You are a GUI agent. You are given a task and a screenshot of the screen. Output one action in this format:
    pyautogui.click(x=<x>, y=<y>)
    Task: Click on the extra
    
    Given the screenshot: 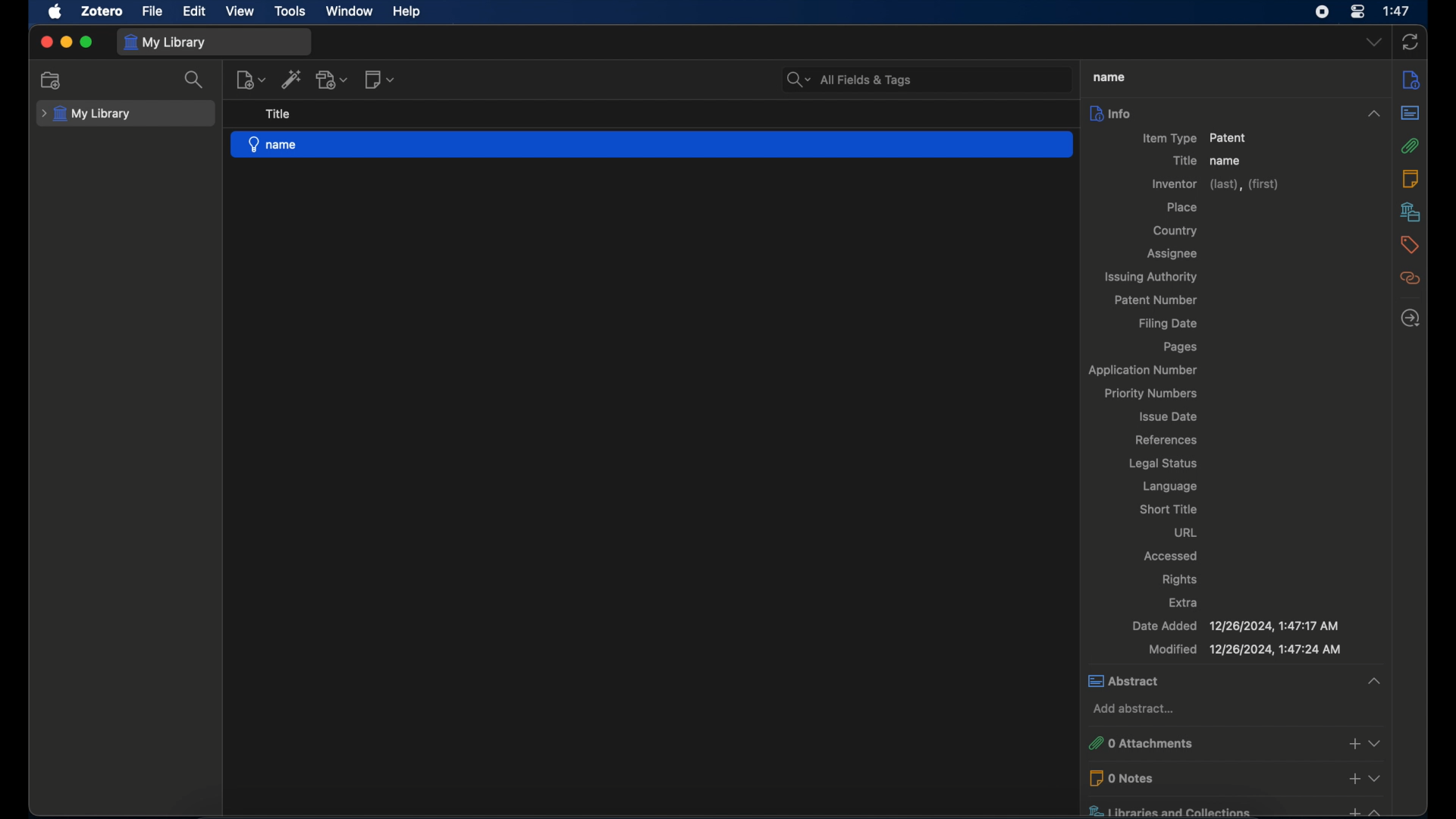 What is the action you would take?
    pyautogui.click(x=1183, y=602)
    